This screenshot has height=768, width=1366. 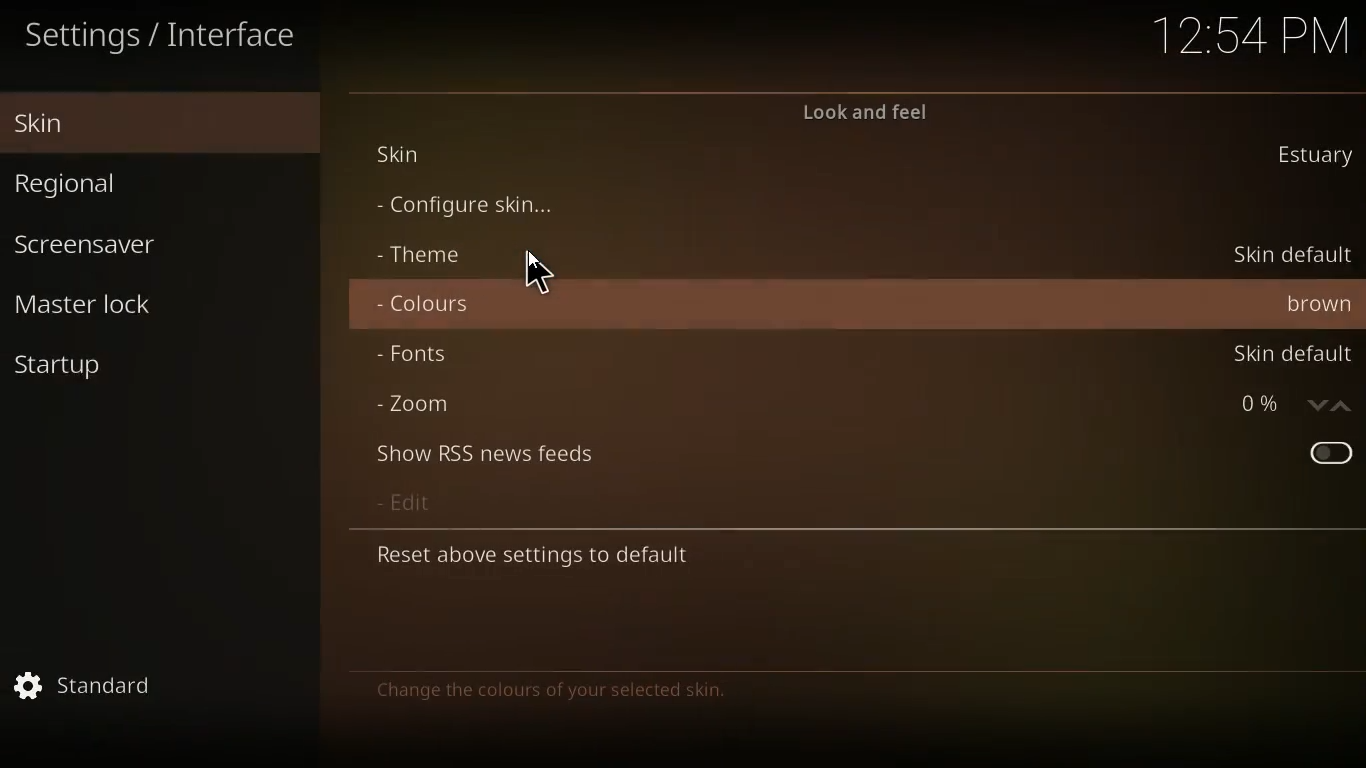 What do you see at coordinates (411, 154) in the screenshot?
I see `skin` at bounding box center [411, 154].